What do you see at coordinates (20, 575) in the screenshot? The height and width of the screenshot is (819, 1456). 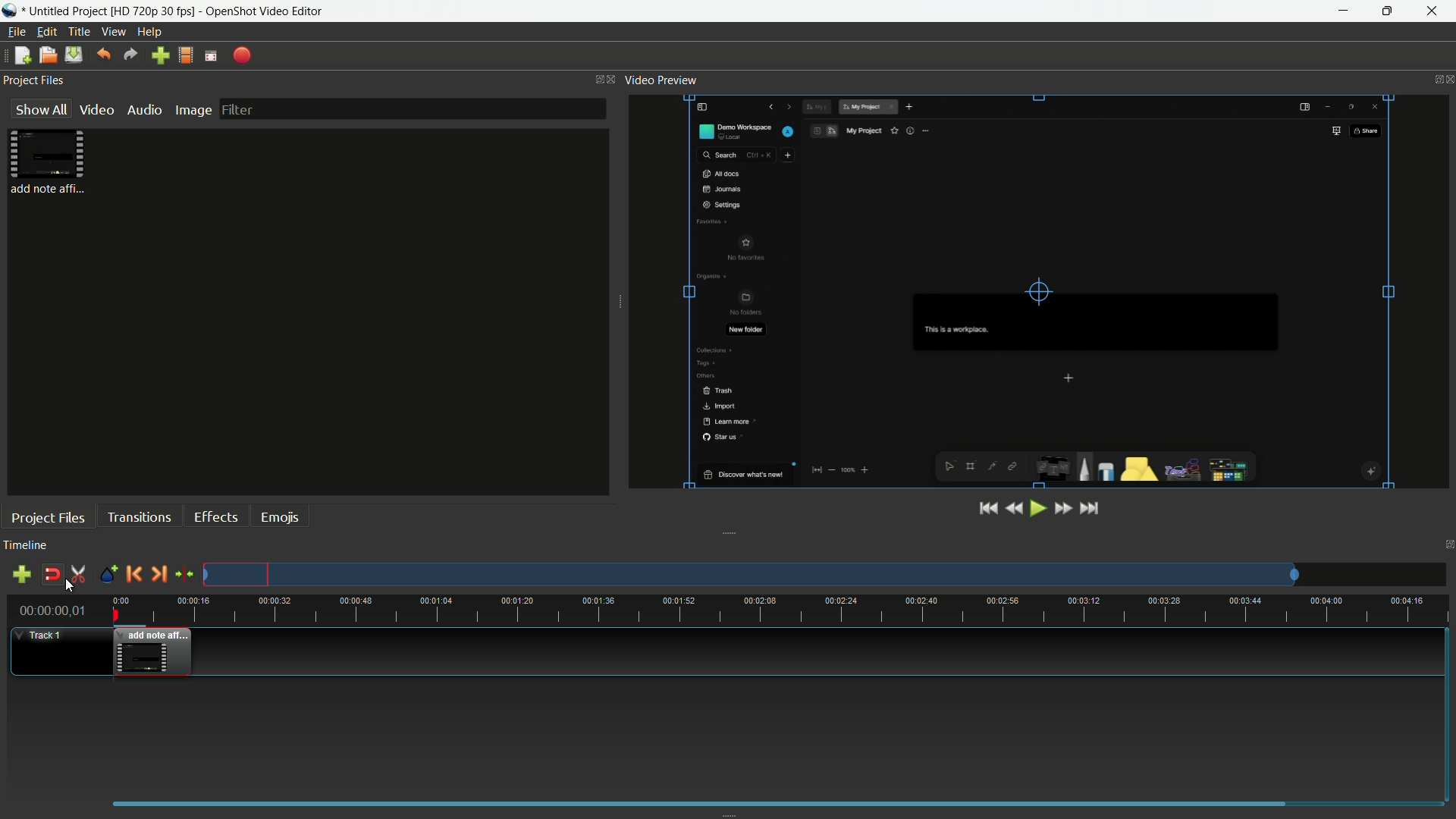 I see `add track` at bounding box center [20, 575].